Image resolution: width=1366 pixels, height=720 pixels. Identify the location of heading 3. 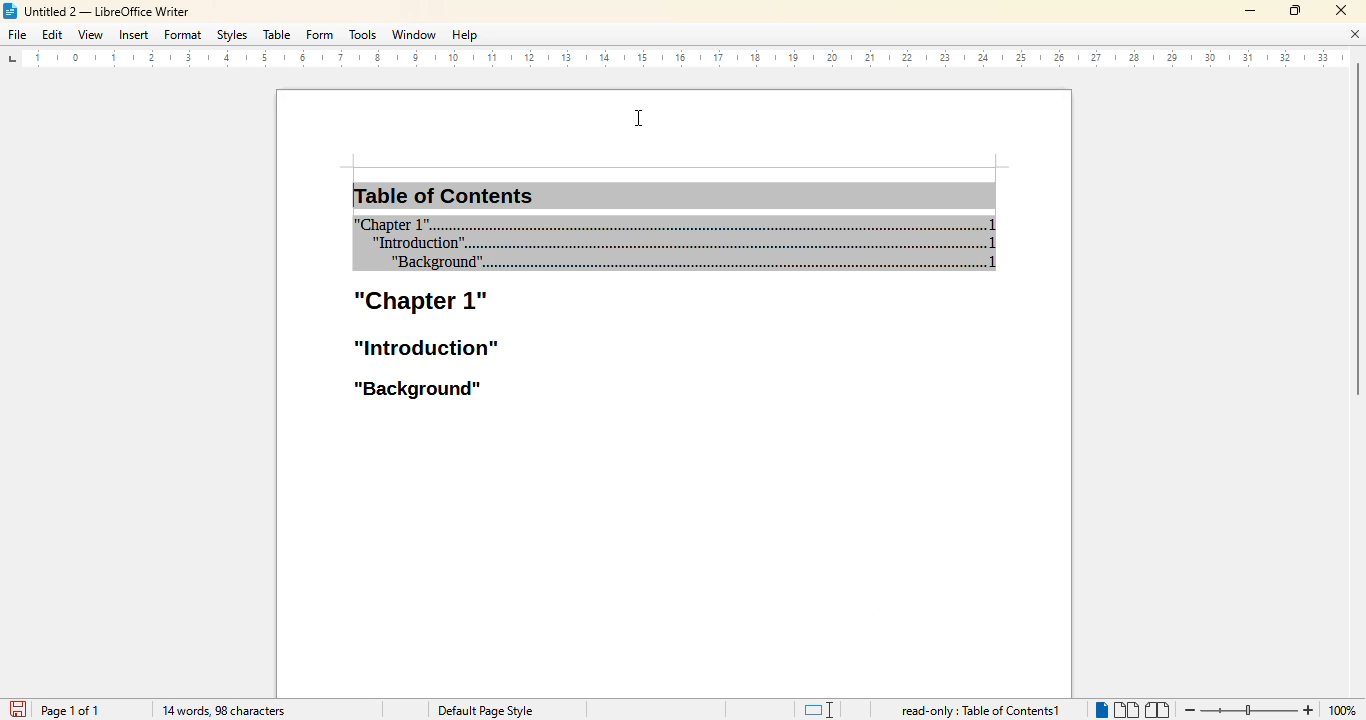
(417, 389).